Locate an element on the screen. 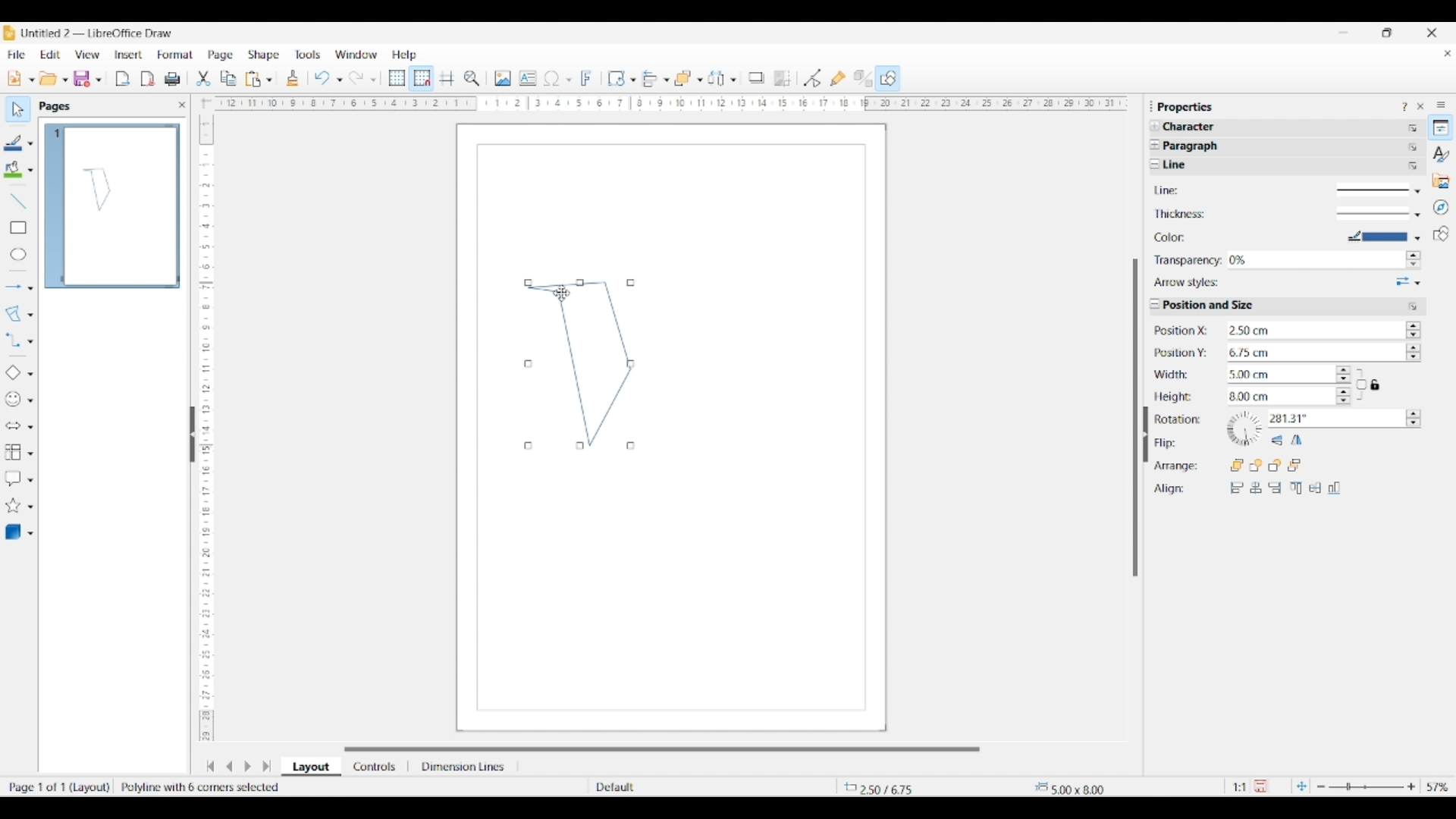  Insert image is located at coordinates (503, 78).